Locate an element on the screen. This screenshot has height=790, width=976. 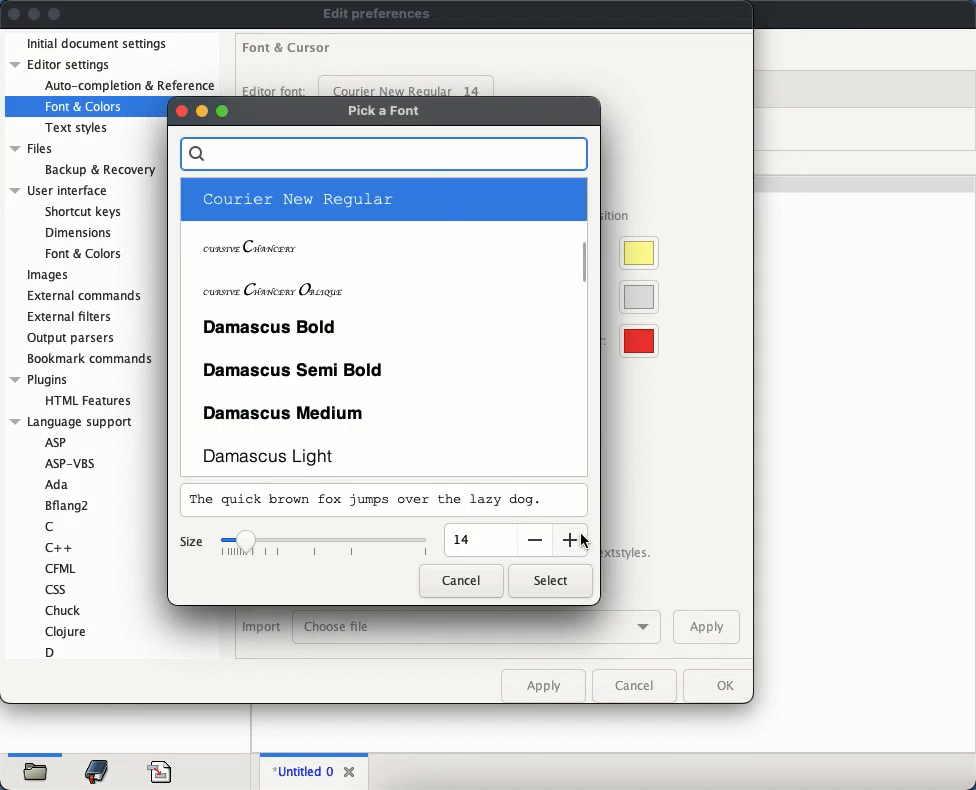
HTML features is located at coordinates (91, 401).